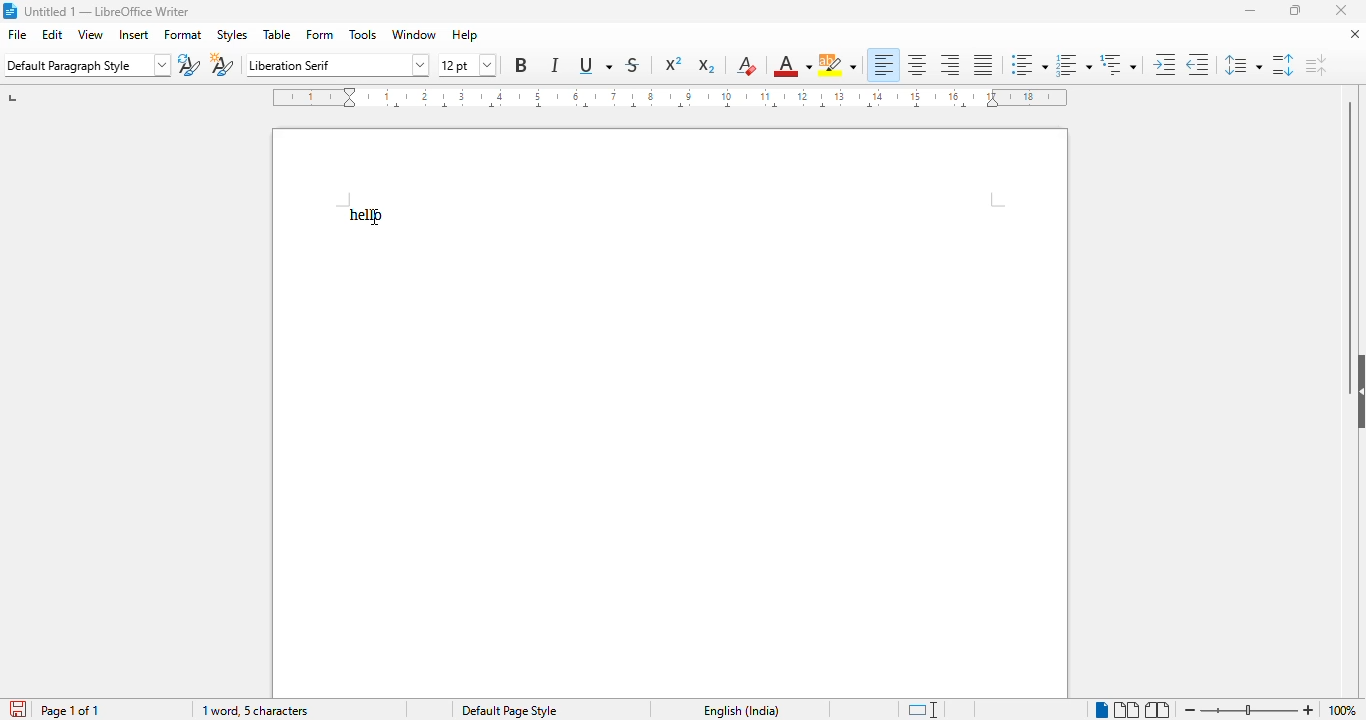 The height and width of the screenshot is (720, 1366). Describe the element at coordinates (1125, 709) in the screenshot. I see `multi-page view` at that location.